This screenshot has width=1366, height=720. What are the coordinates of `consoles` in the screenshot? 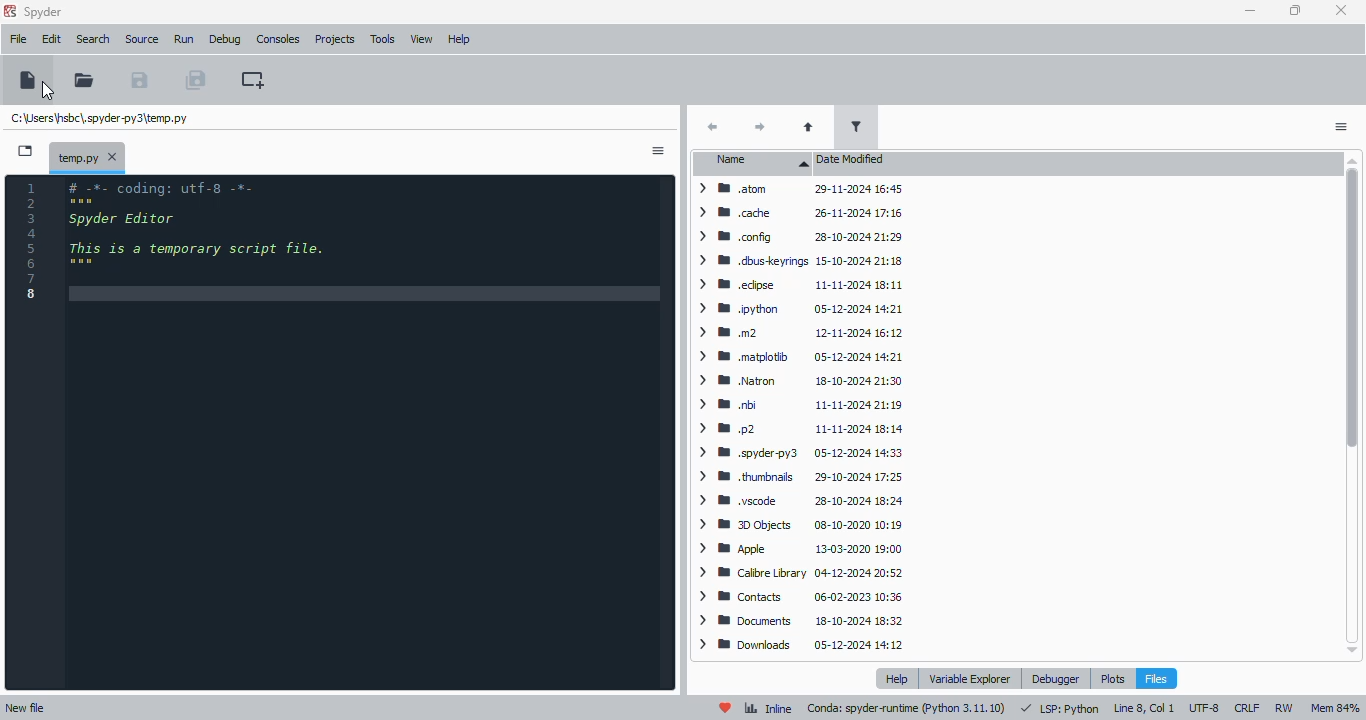 It's located at (278, 39).